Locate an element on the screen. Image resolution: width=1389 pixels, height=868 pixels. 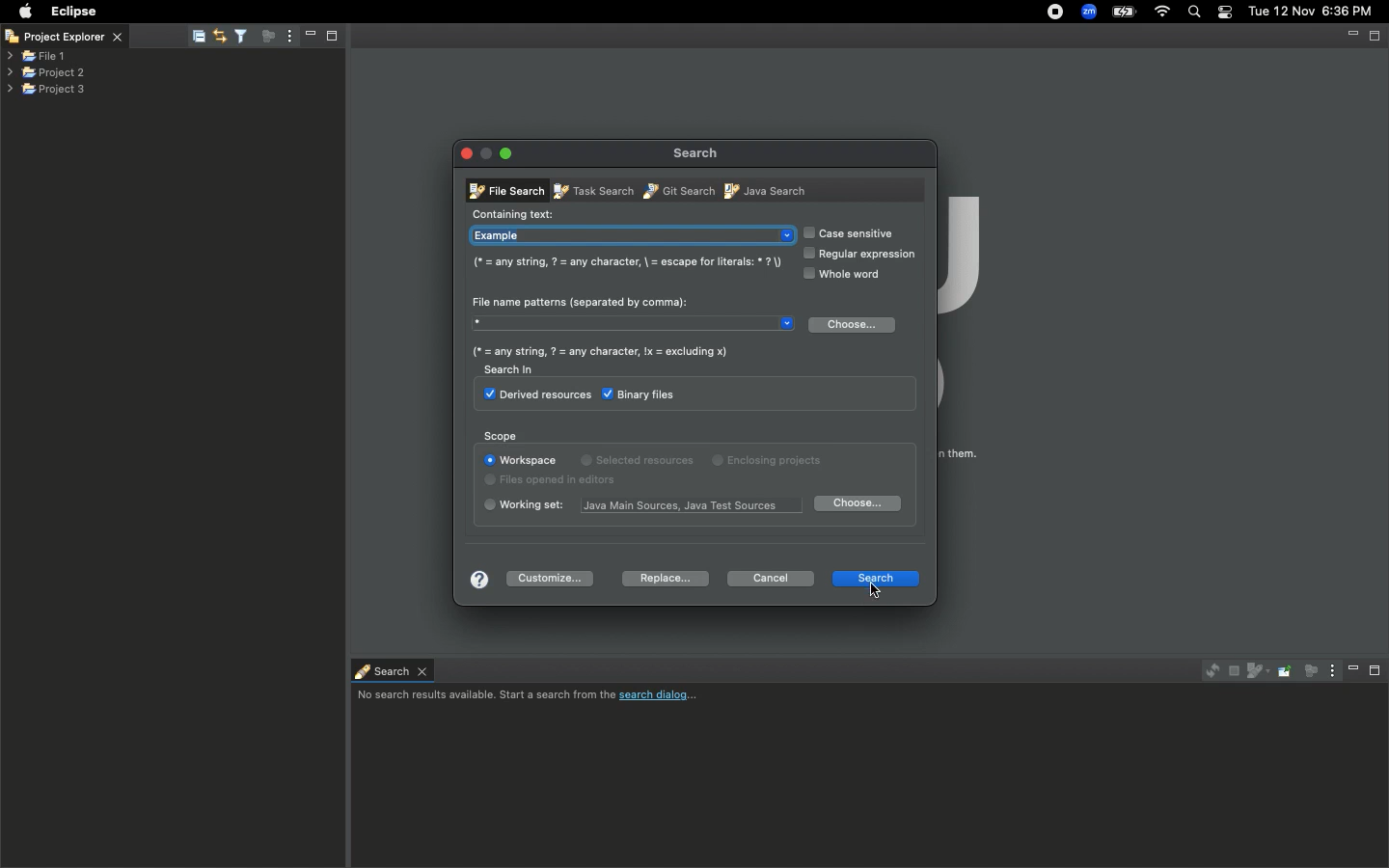
Cancel current search is located at coordinates (1232, 671).